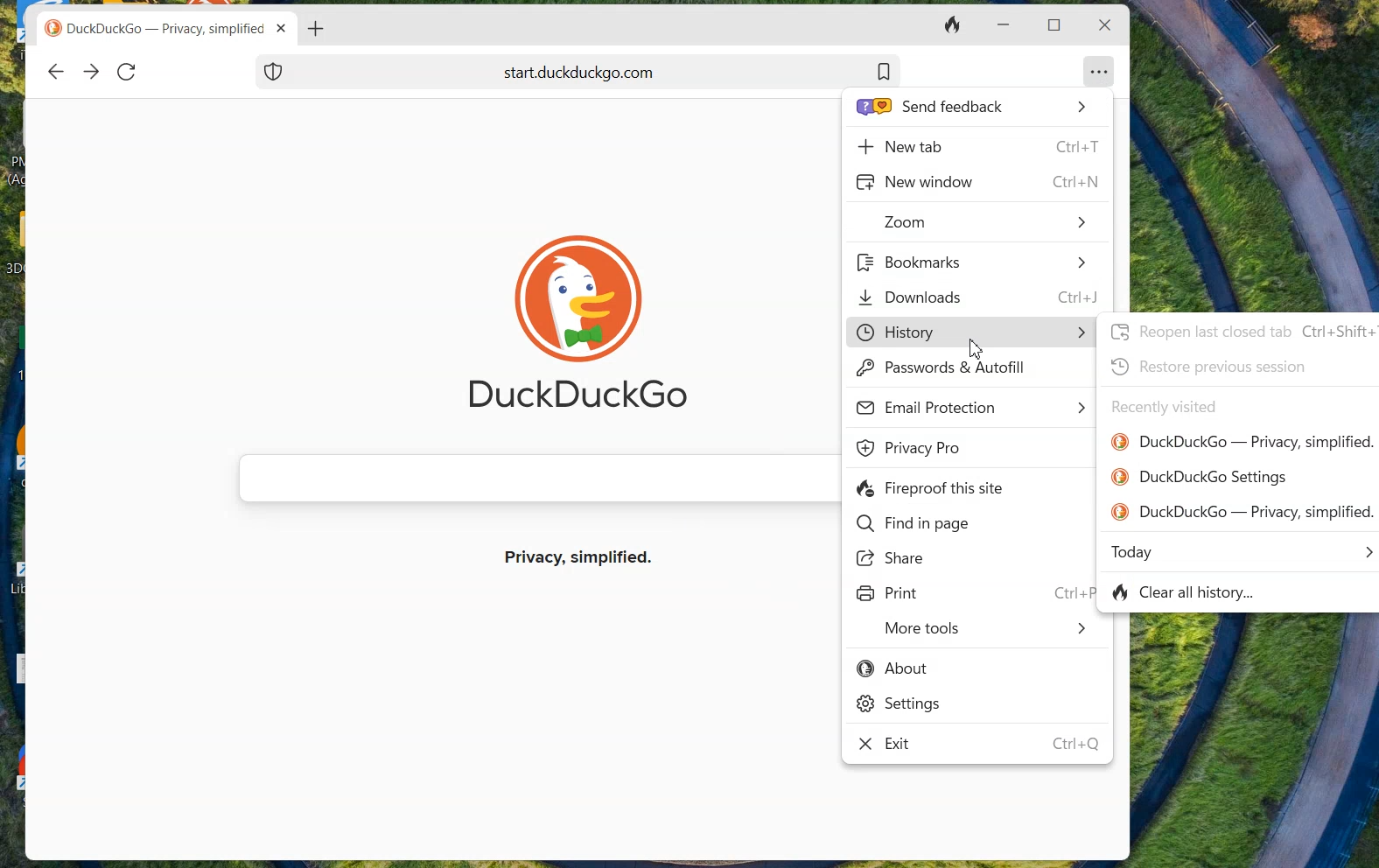  I want to click on shortkey, so click(1067, 591).